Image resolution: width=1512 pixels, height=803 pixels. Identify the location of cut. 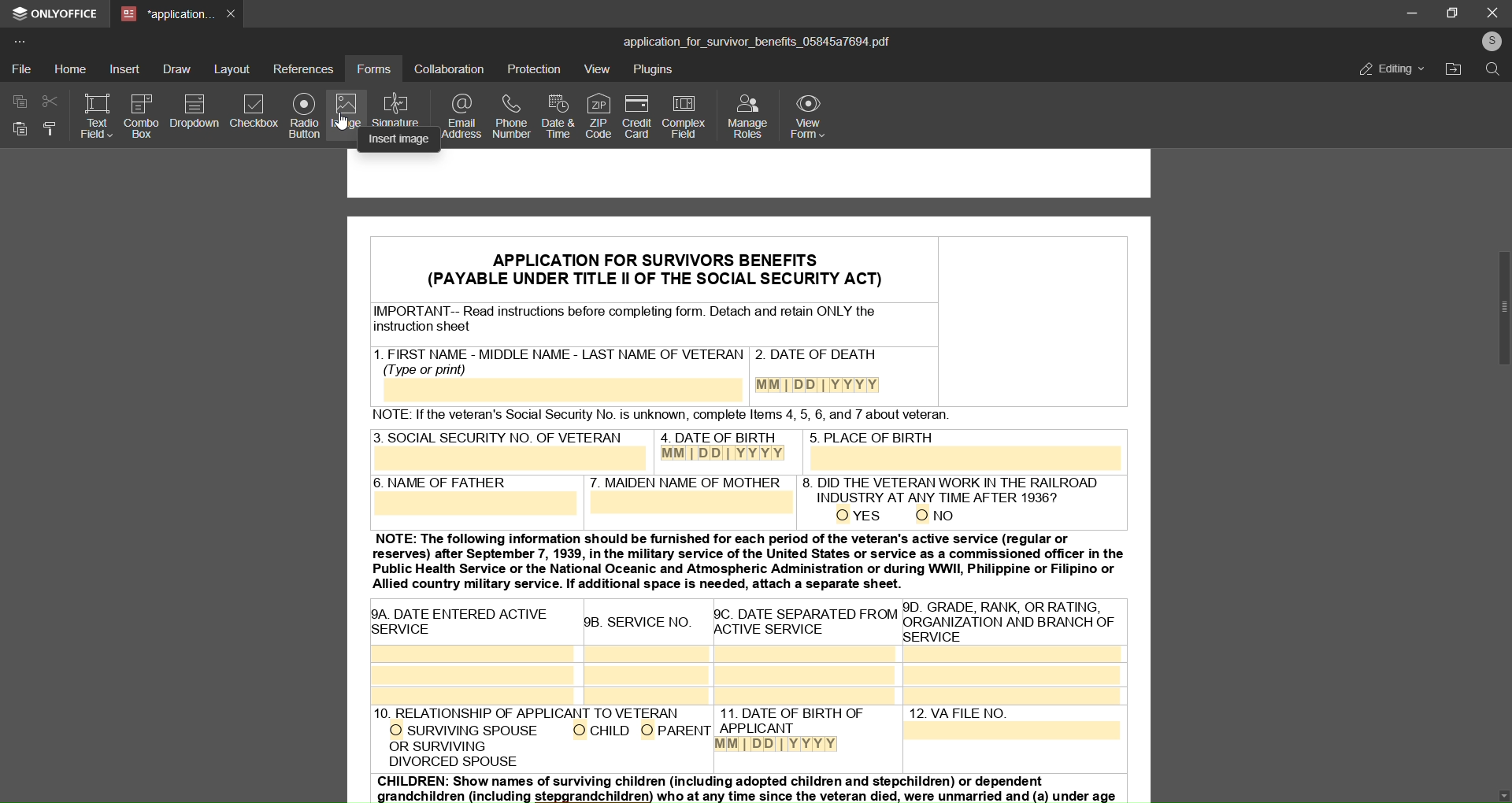
(47, 101).